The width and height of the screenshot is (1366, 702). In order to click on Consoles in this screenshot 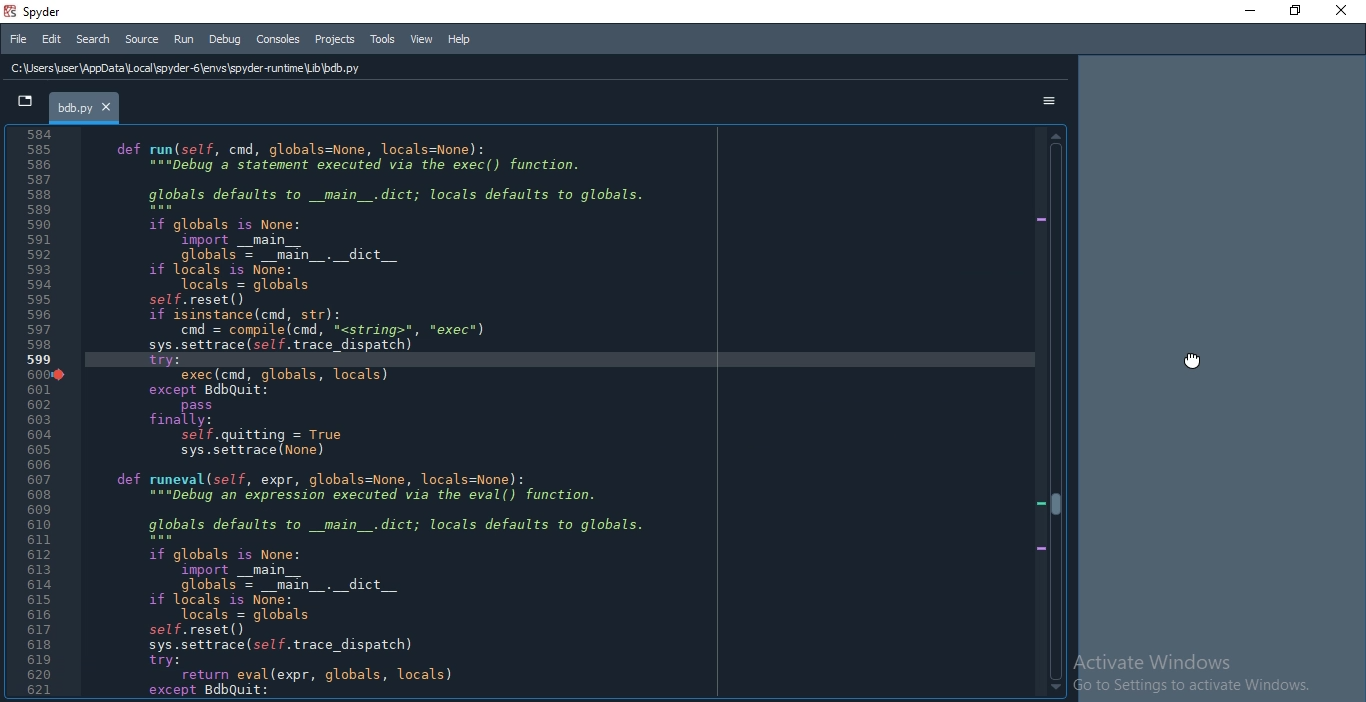, I will do `click(277, 39)`.